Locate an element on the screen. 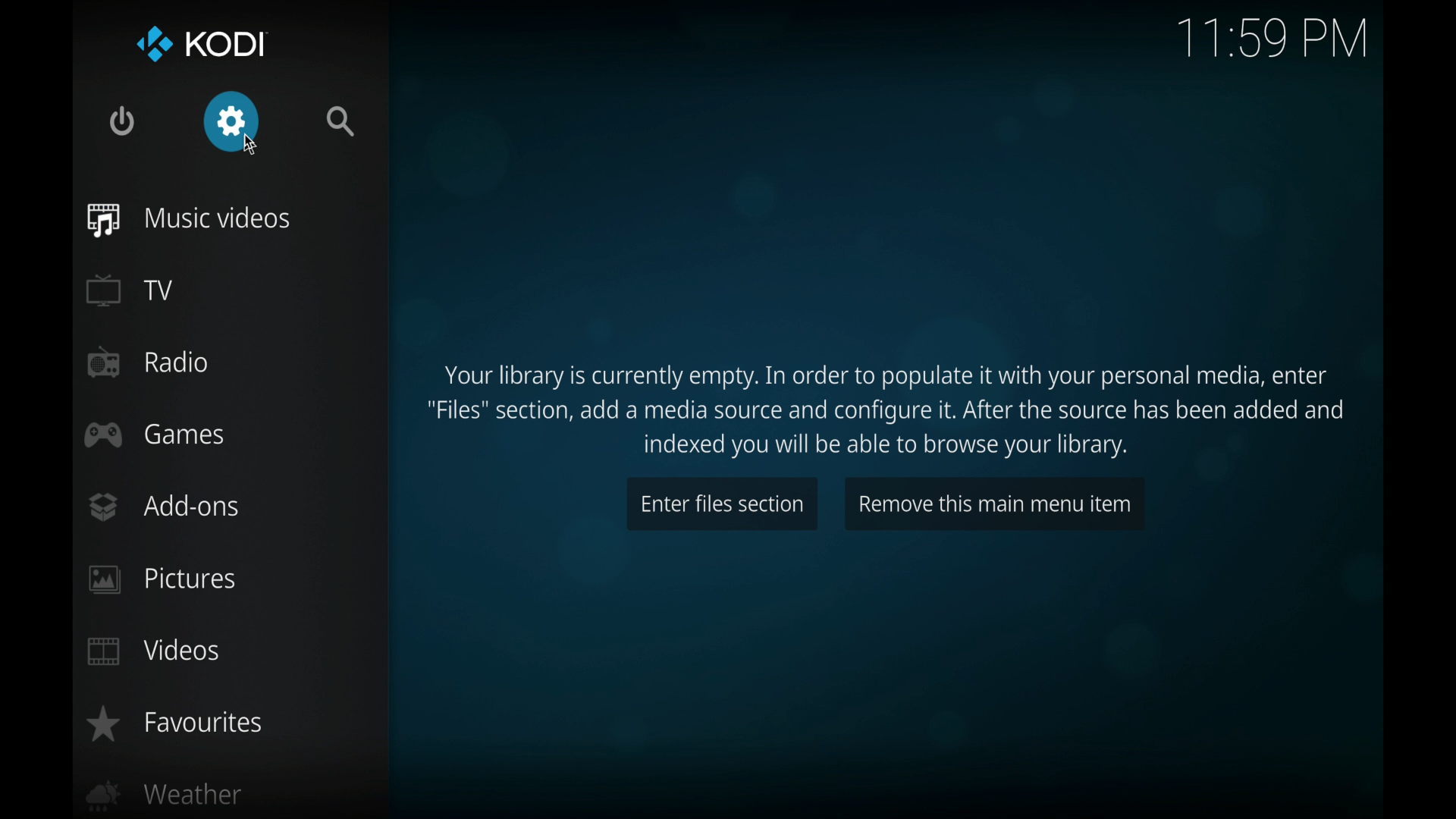  quit kodi is located at coordinates (123, 121).